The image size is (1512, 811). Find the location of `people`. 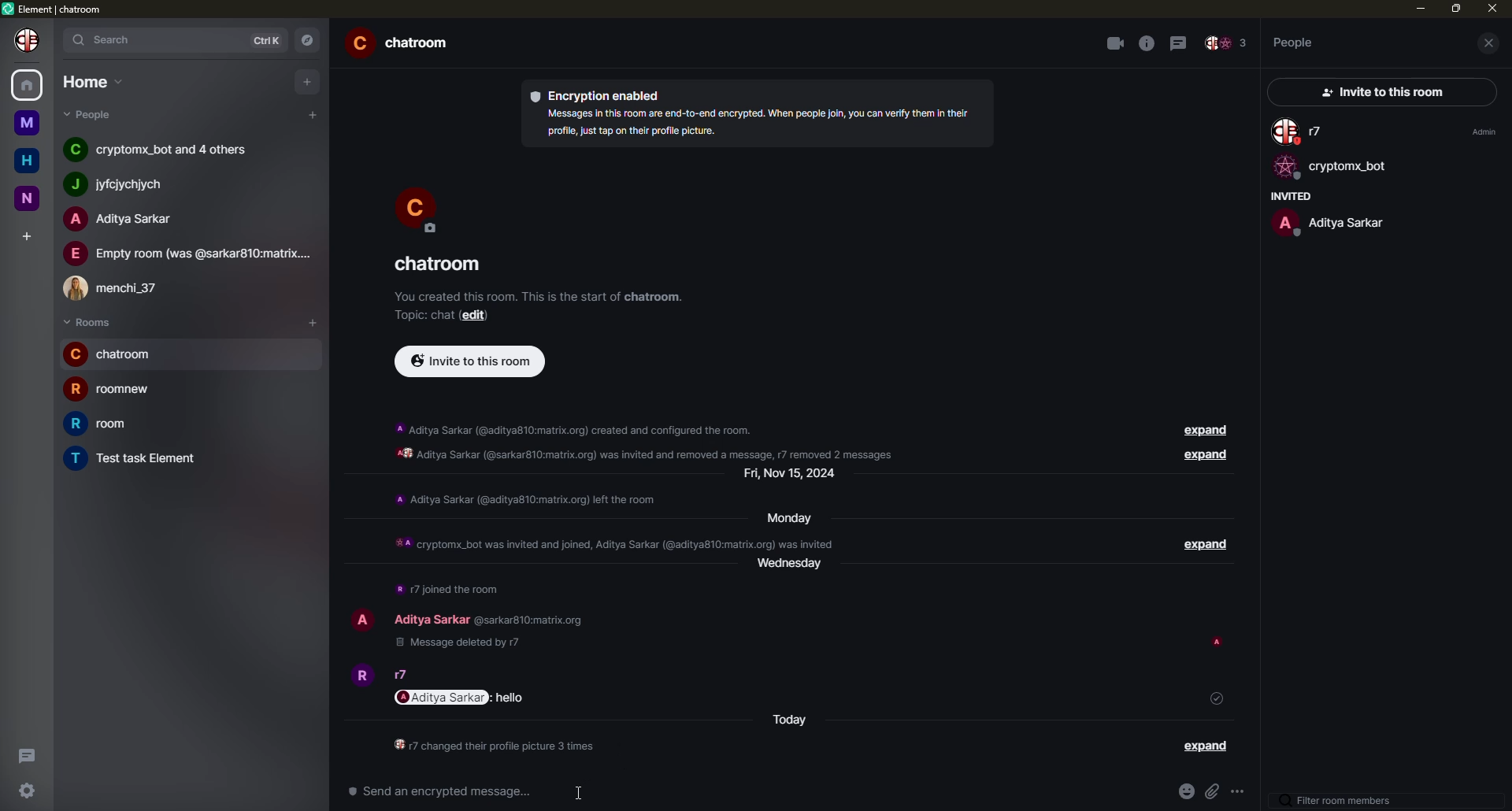

people is located at coordinates (1295, 42).